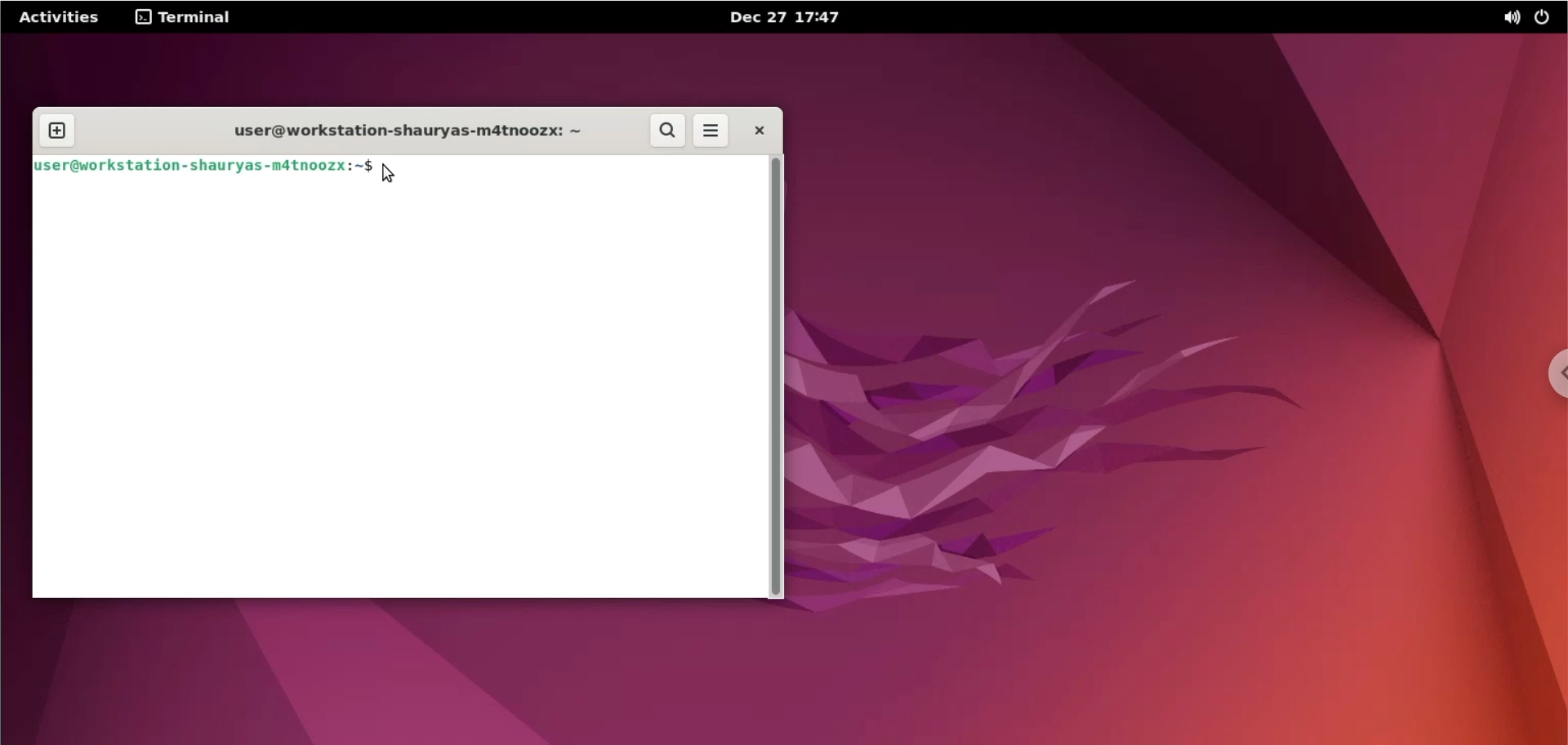  I want to click on close, so click(759, 131).